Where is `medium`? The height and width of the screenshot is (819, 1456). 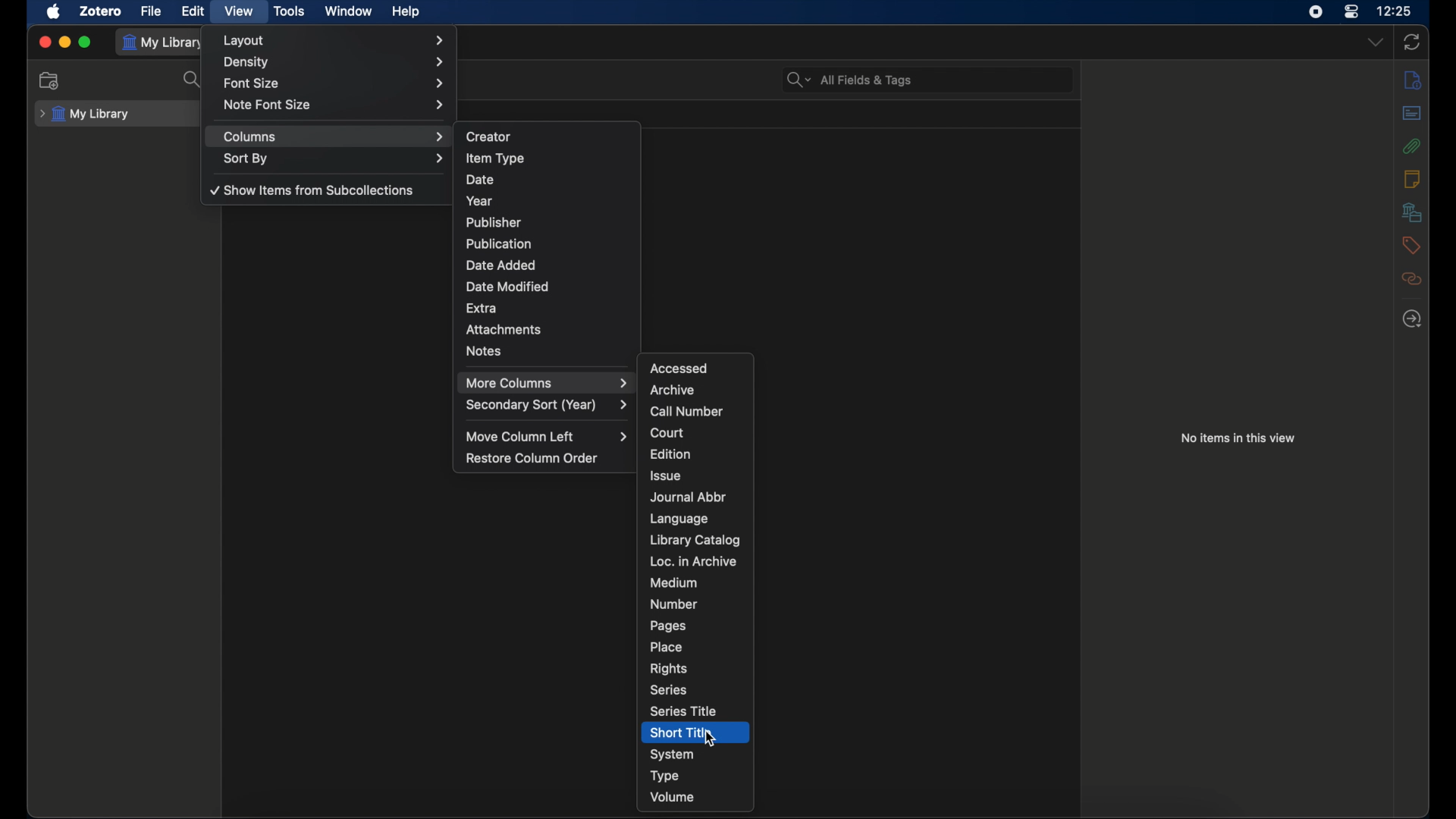 medium is located at coordinates (674, 583).